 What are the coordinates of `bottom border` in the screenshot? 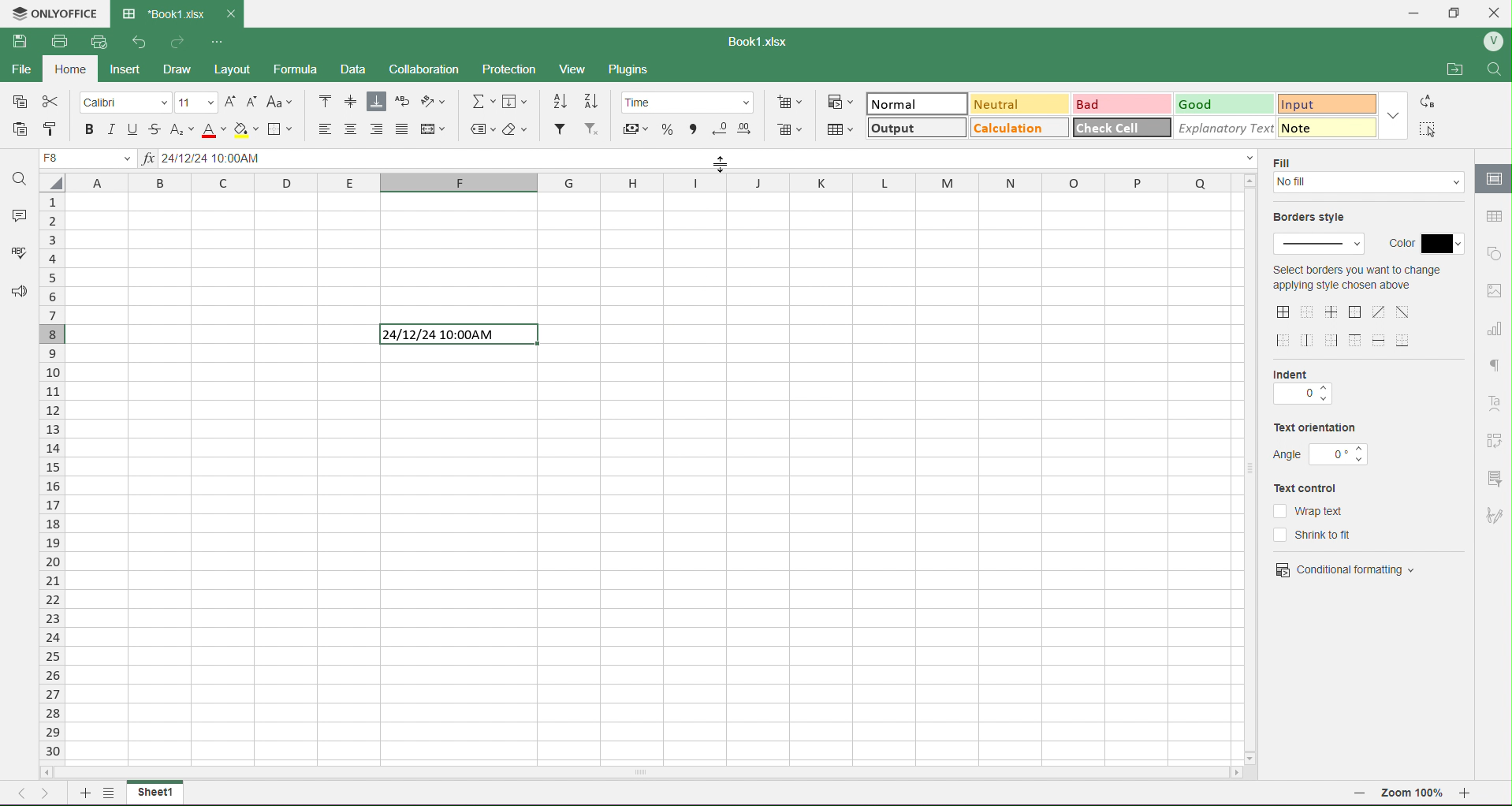 It's located at (1405, 339).